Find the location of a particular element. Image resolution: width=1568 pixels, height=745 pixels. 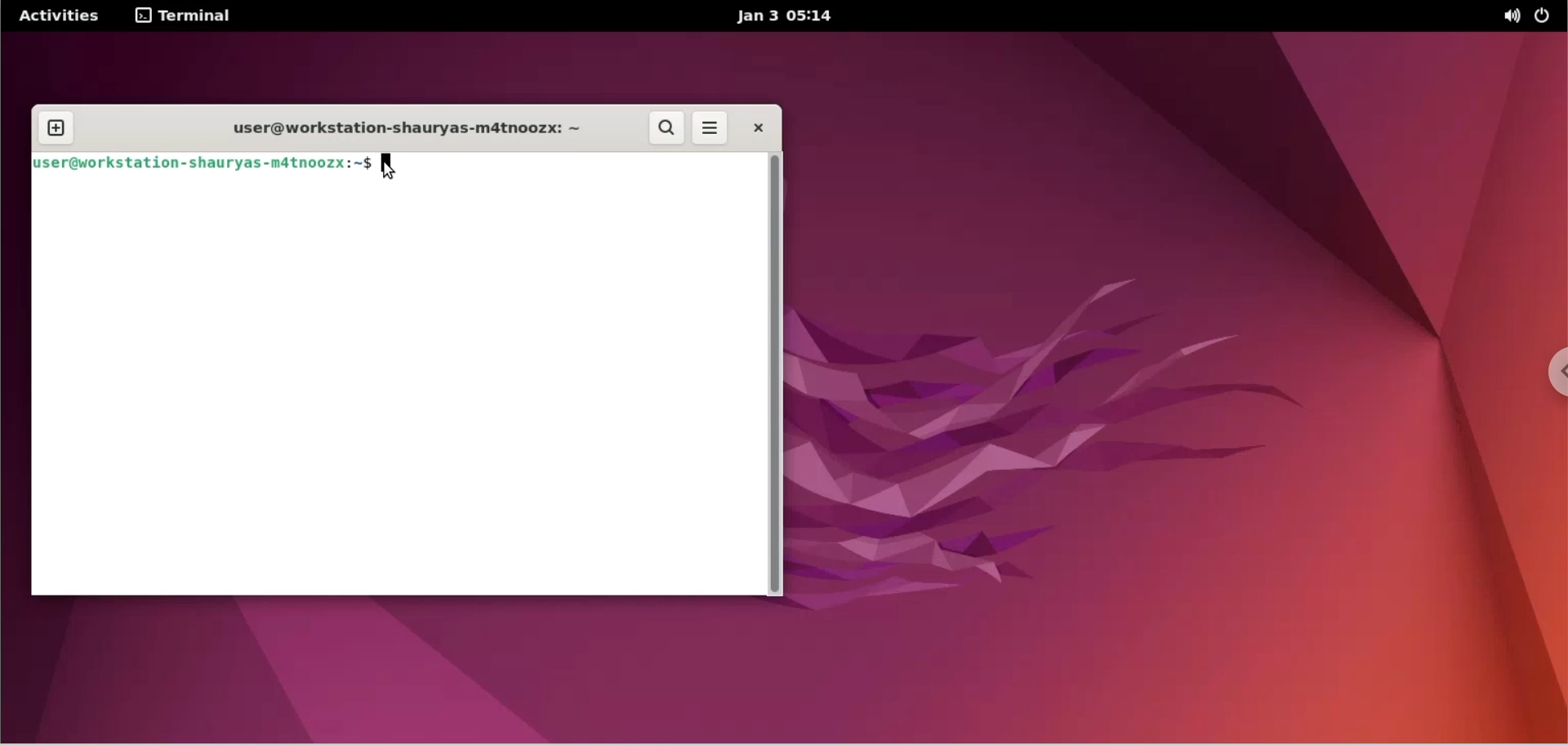

close is located at coordinates (760, 128).